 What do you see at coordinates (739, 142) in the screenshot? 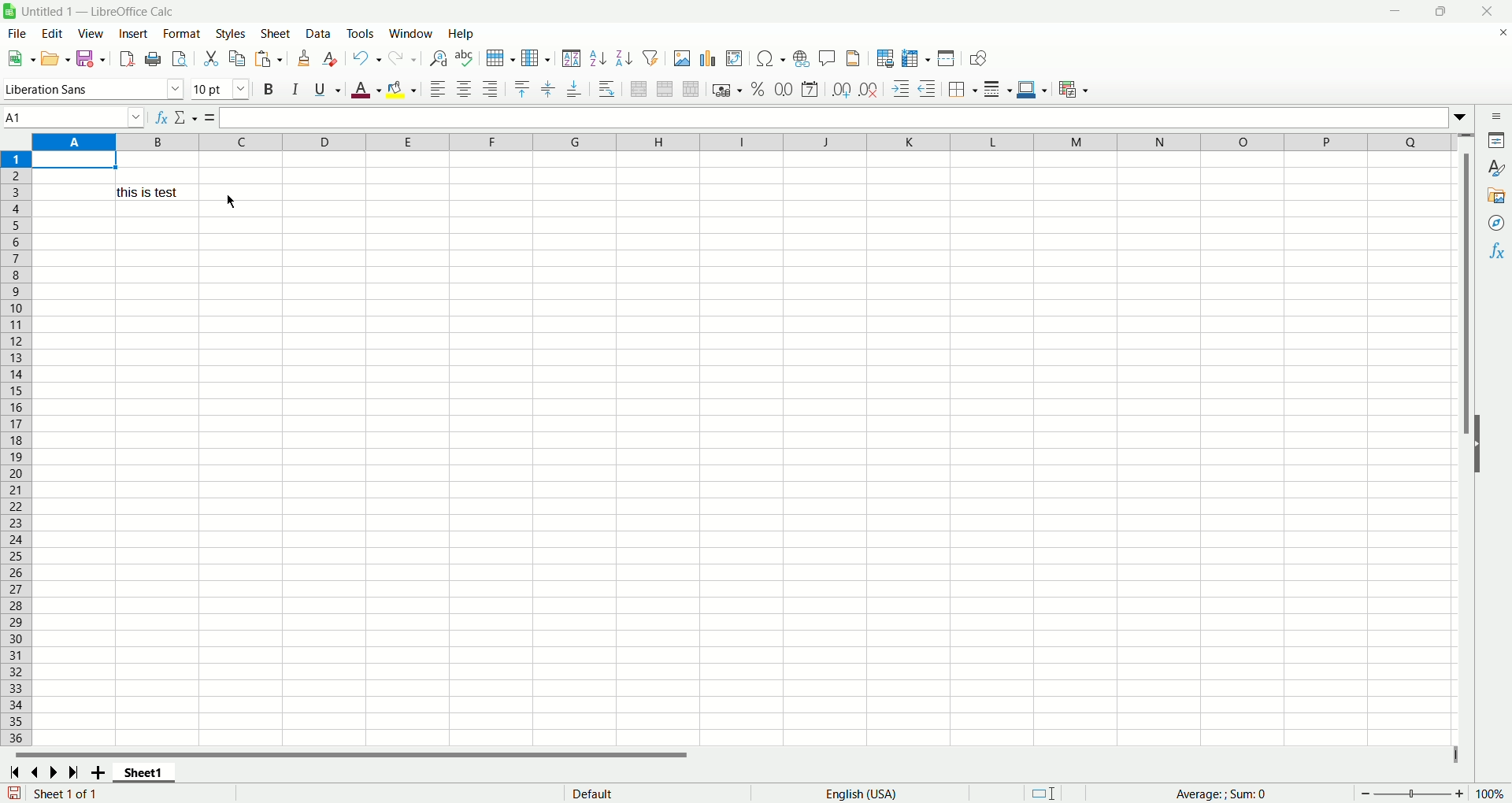
I see `column name` at bounding box center [739, 142].